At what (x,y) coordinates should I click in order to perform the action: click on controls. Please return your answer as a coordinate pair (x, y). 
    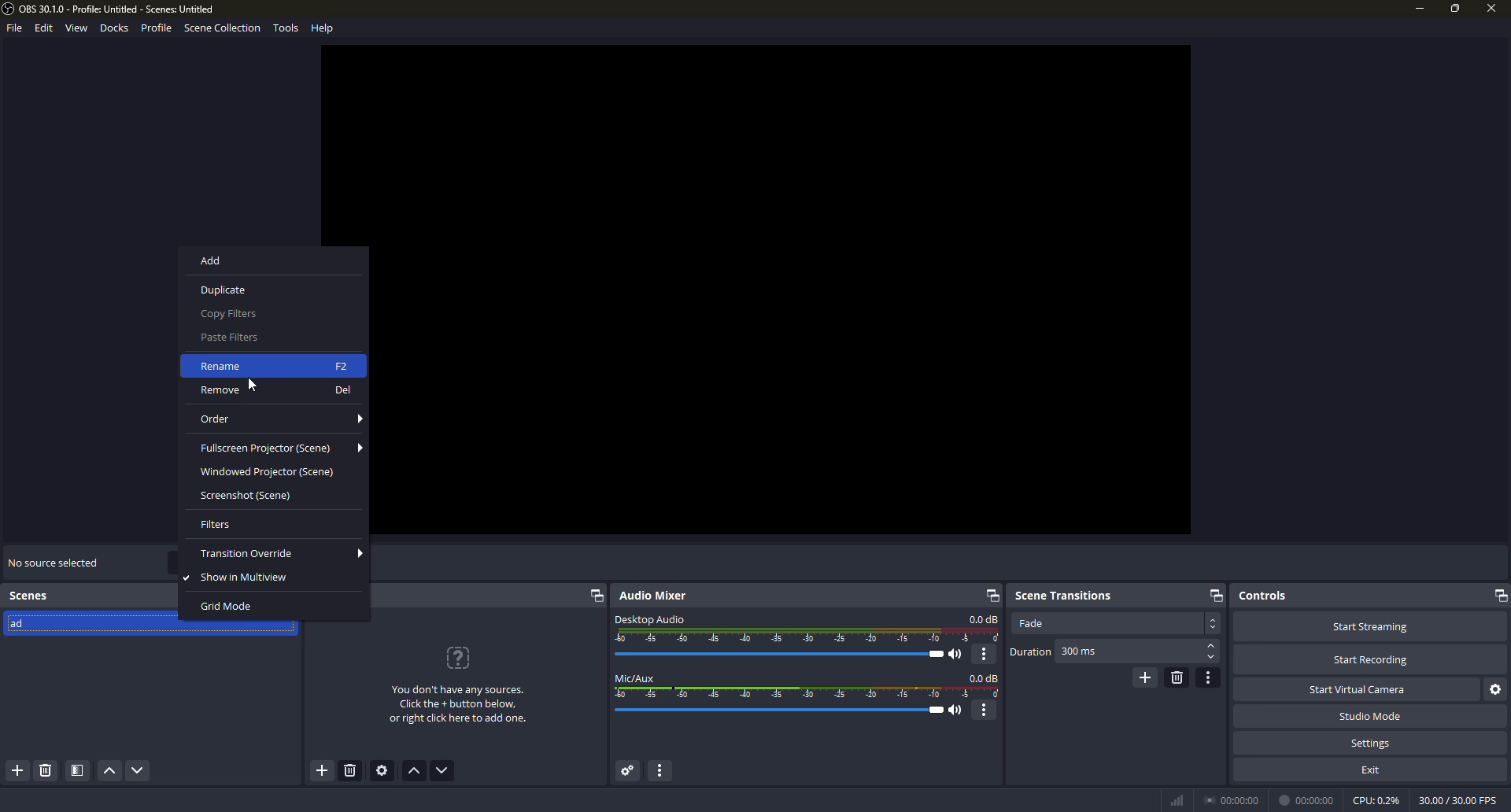
    Looking at the image, I should click on (1263, 595).